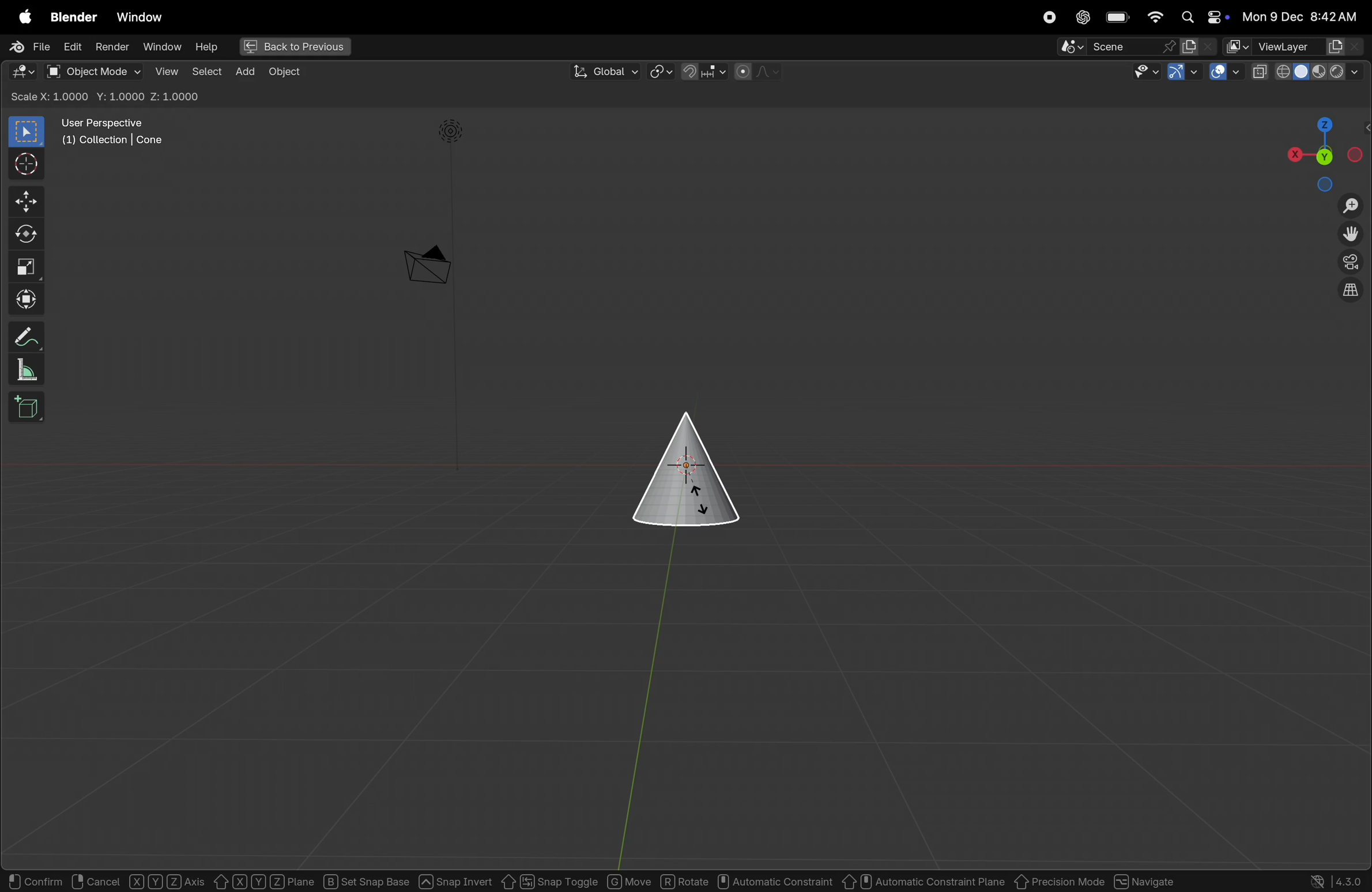 The image size is (1372, 892). What do you see at coordinates (27, 880) in the screenshot?
I see `select` at bounding box center [27, 880].